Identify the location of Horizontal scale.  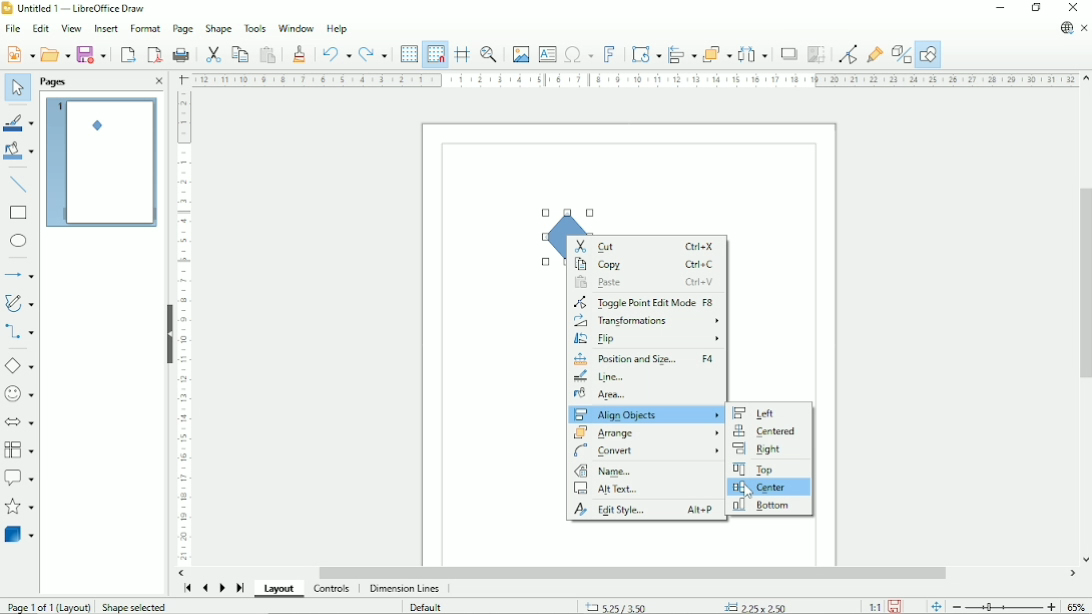
(635, 79).